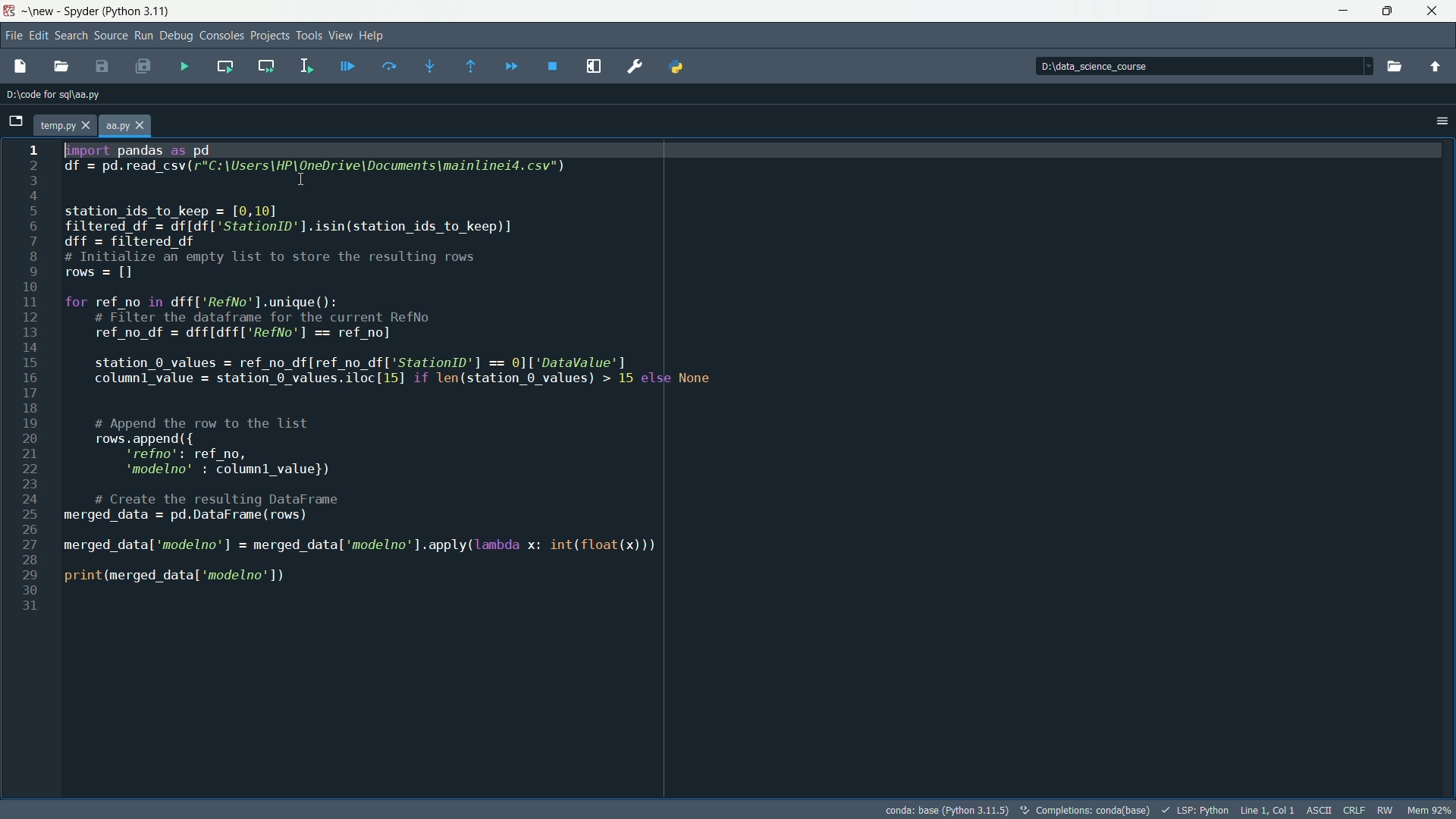  I want to click on file name, so click(64, 124).